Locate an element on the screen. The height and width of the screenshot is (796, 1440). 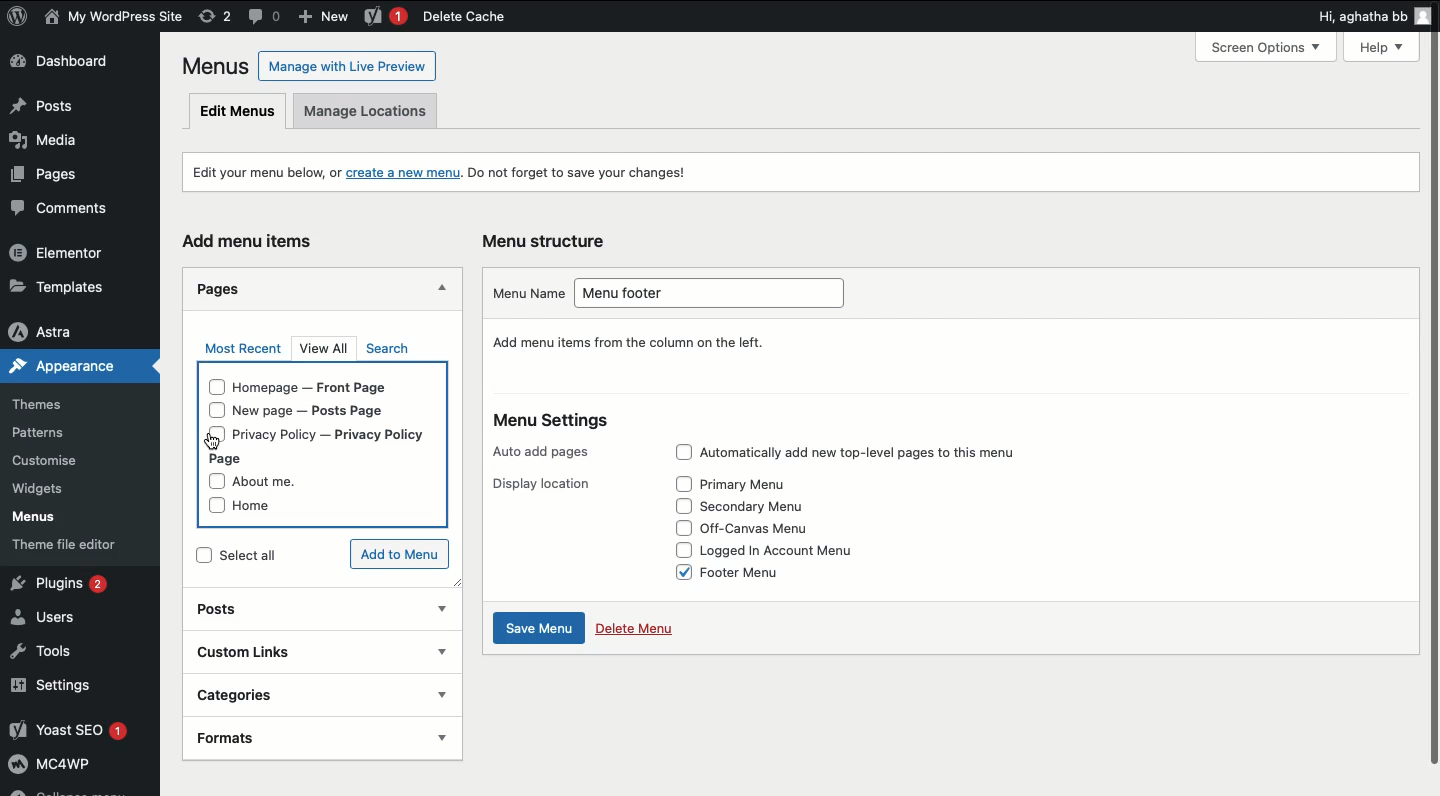
create a new menu. is located at coordinates (404, 174).